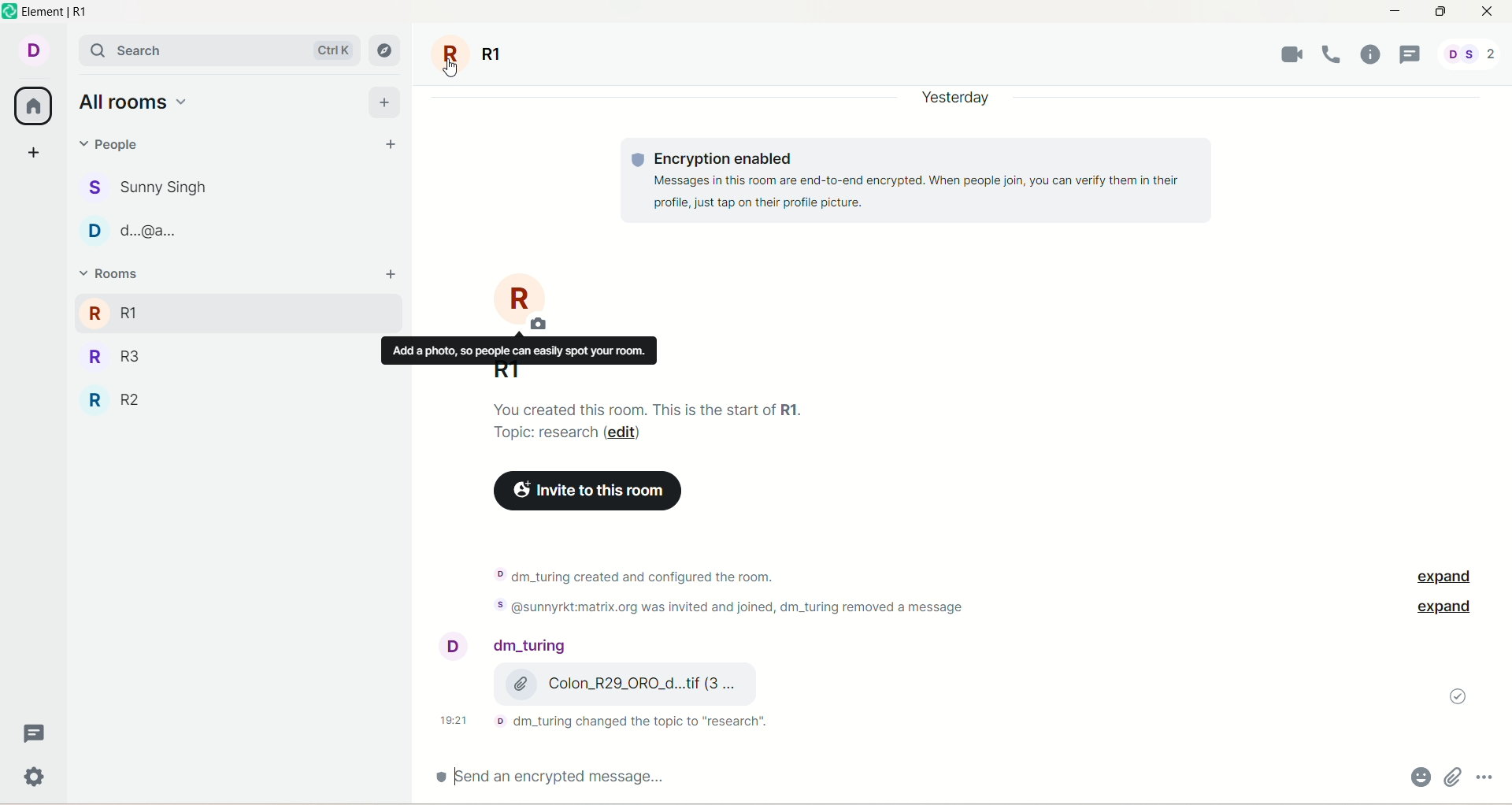 The height and width of the screenshot is (805, 1512). What do you see at coordinates (1442, 573) in the screenshot?
I see `expand` at bounding box center [1442, 573].